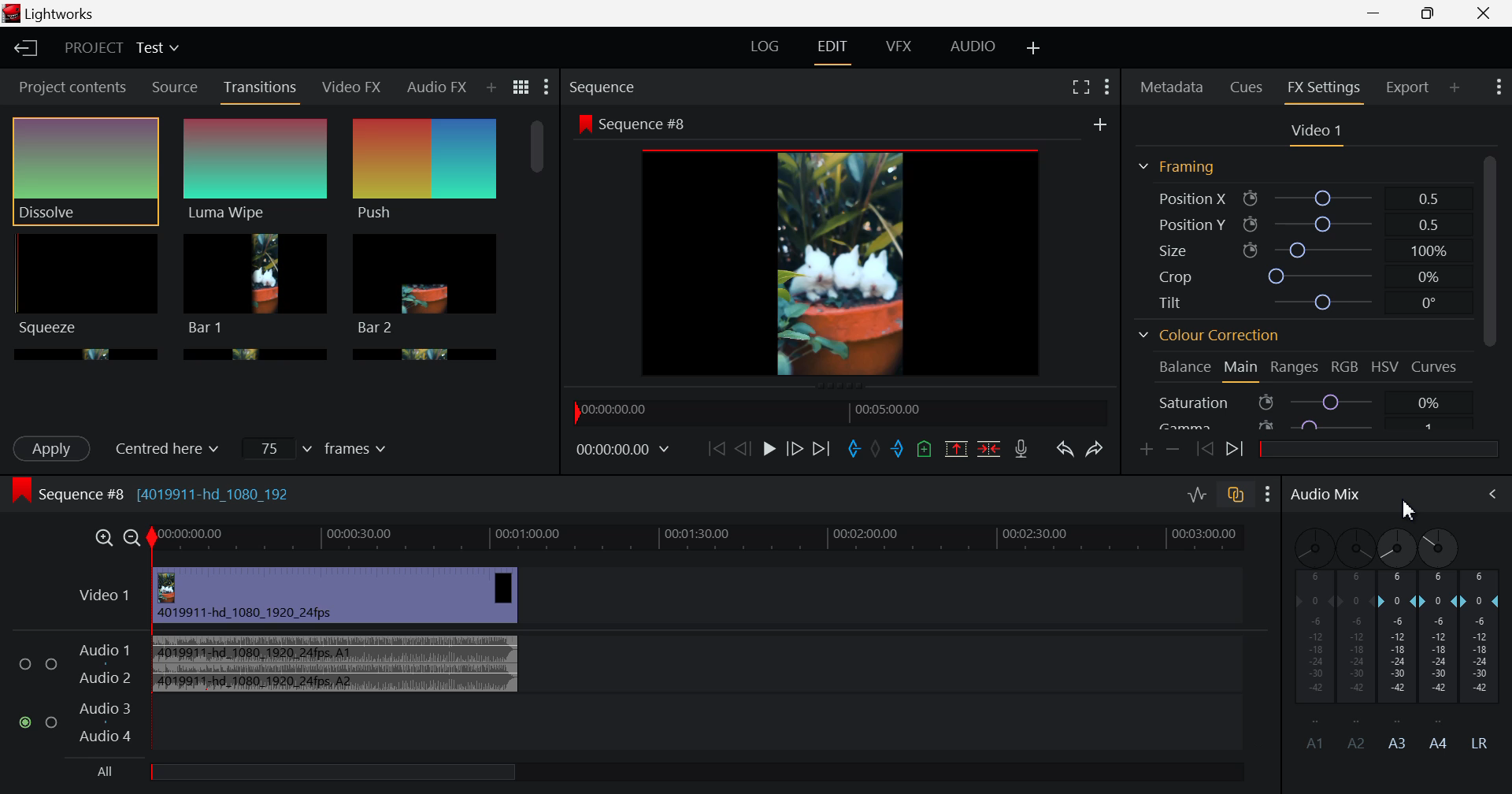 This screenshot has height=794, width=1512. What do you see at coordinates (326, 595) in the screenshot?
I see `Video Input` at bounding box center [326, 595].